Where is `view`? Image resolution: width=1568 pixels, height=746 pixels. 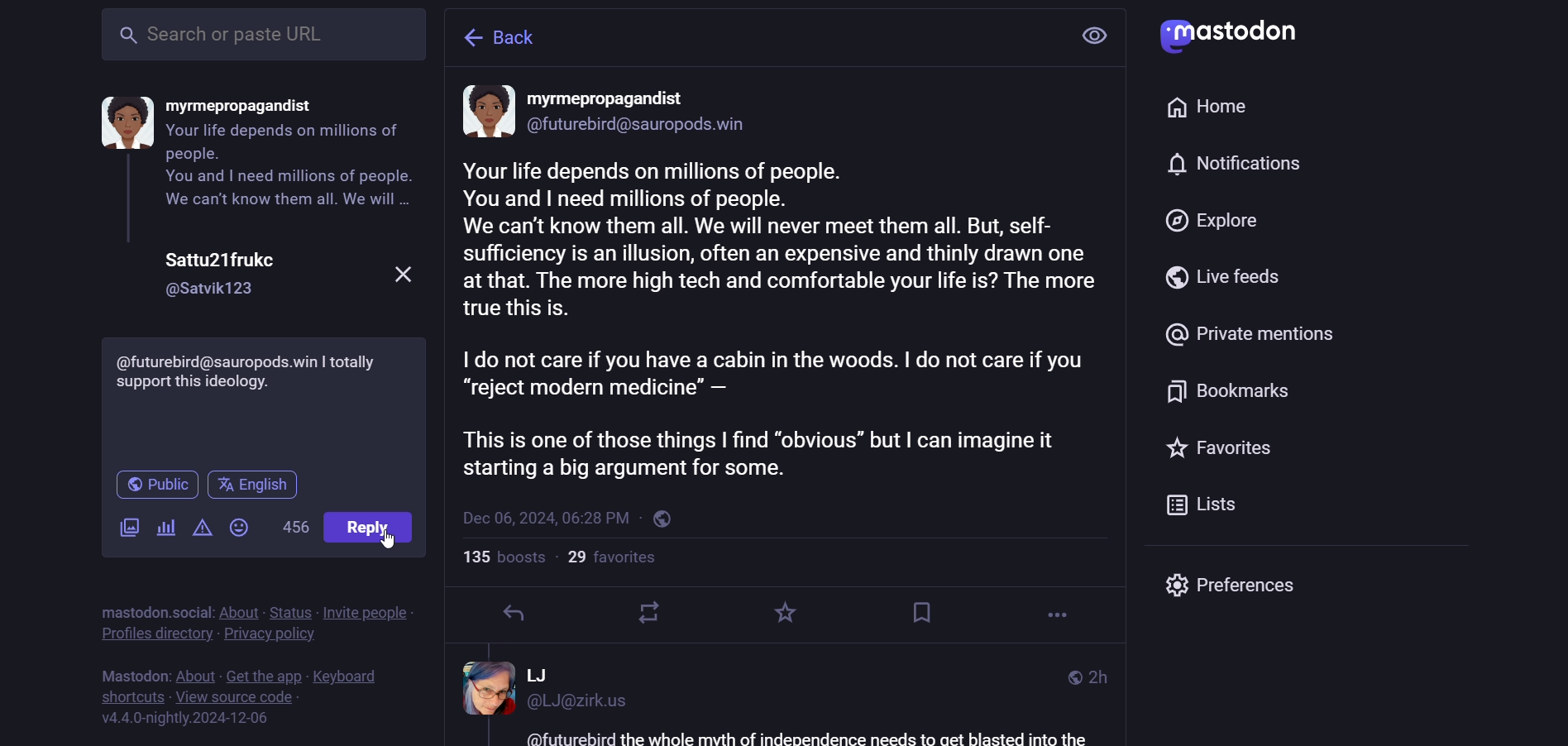 view is located at coordinates (1099, 36).